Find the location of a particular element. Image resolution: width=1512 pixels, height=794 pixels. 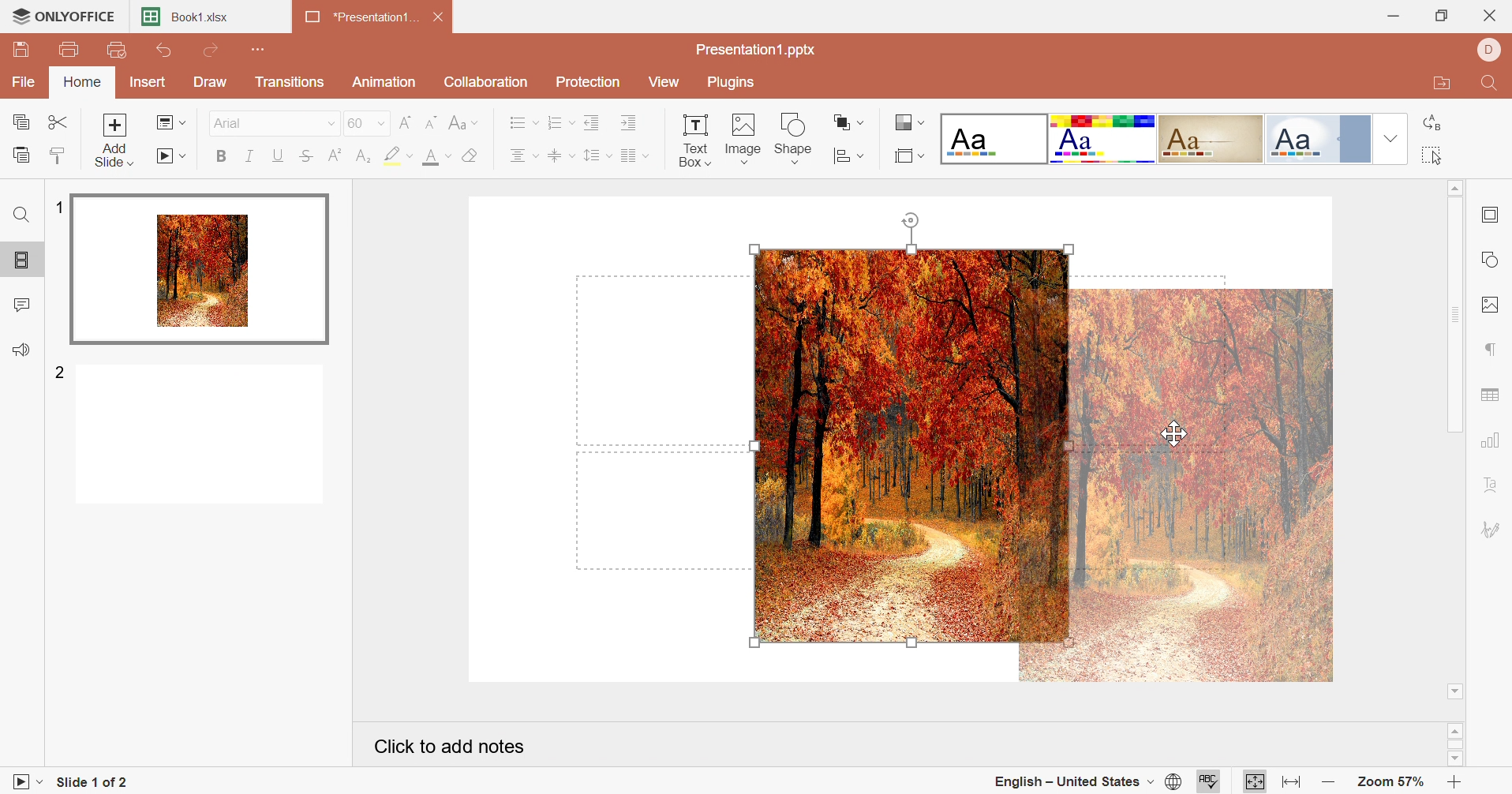

Basic is located at coordinates (1103, 140).